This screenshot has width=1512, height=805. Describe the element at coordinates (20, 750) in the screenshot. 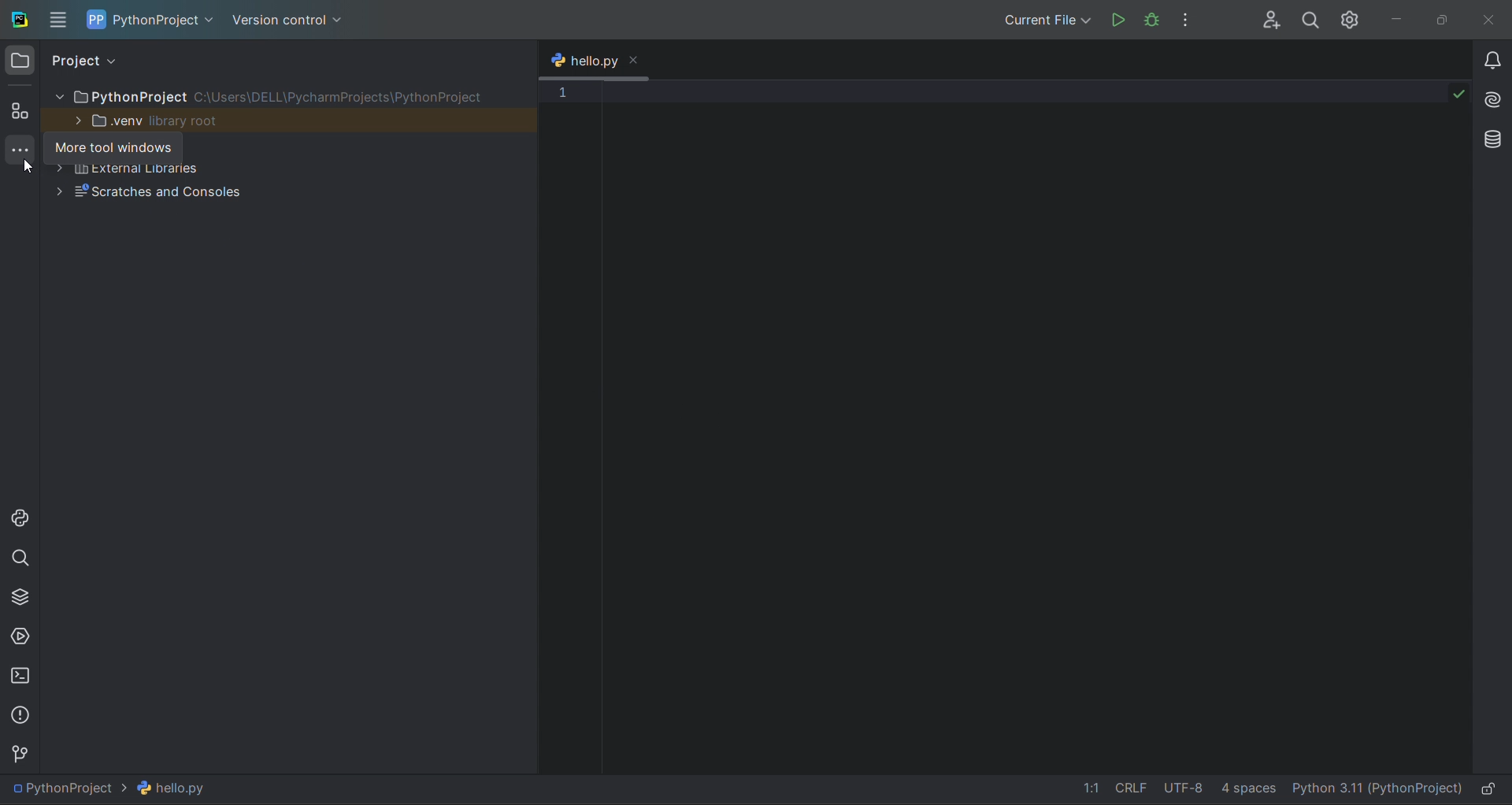

I see `version control` at that location.